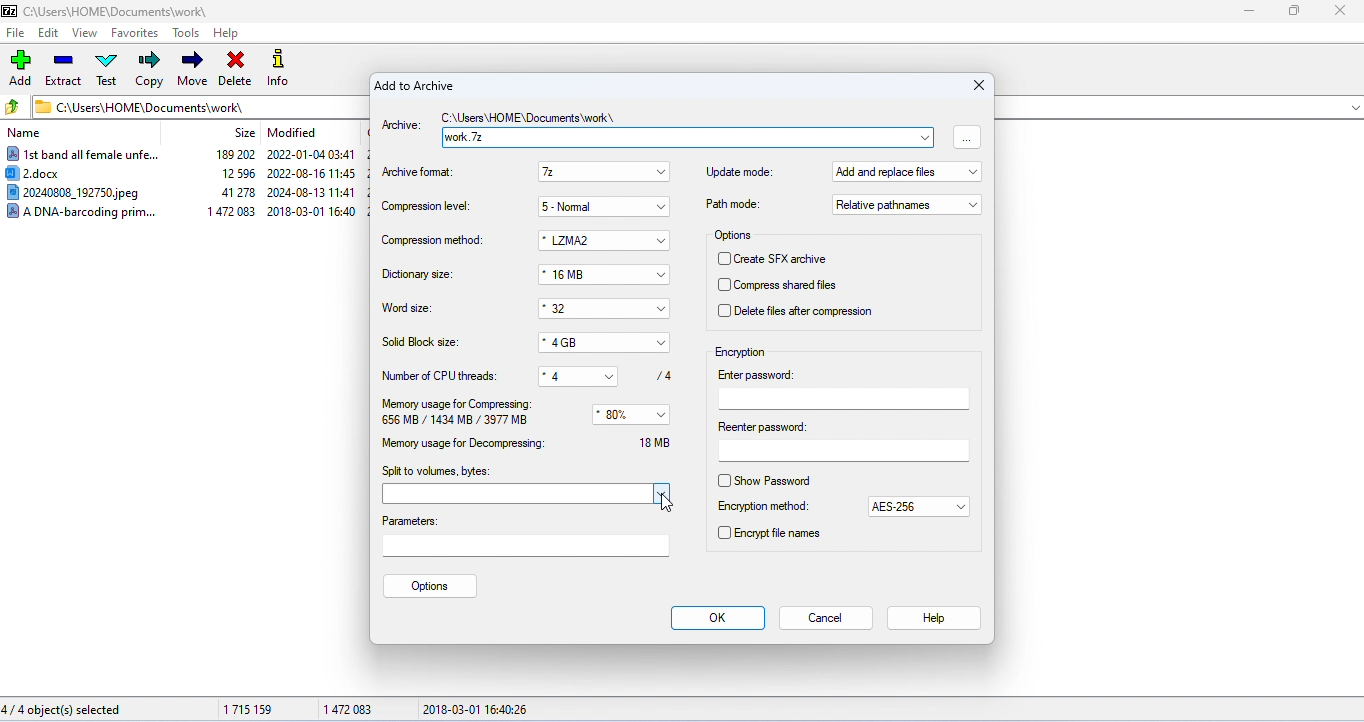  What do you see at coordinates (932, 619) in the screenshot?
I see `help` at bounding box center [932, 619].